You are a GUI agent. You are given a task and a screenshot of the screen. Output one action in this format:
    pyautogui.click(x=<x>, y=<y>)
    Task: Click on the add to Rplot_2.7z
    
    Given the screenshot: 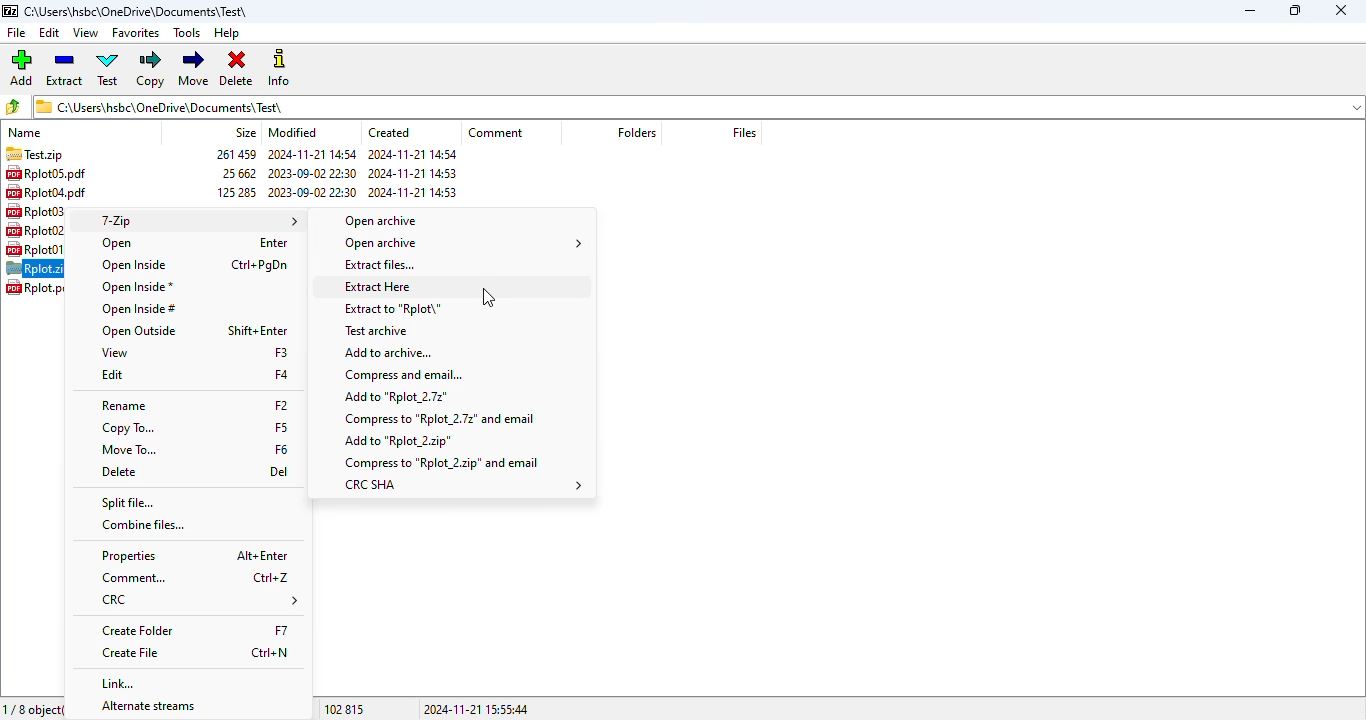 What is the action you would take?
    pyautogui.click(x=395, y=397)
    